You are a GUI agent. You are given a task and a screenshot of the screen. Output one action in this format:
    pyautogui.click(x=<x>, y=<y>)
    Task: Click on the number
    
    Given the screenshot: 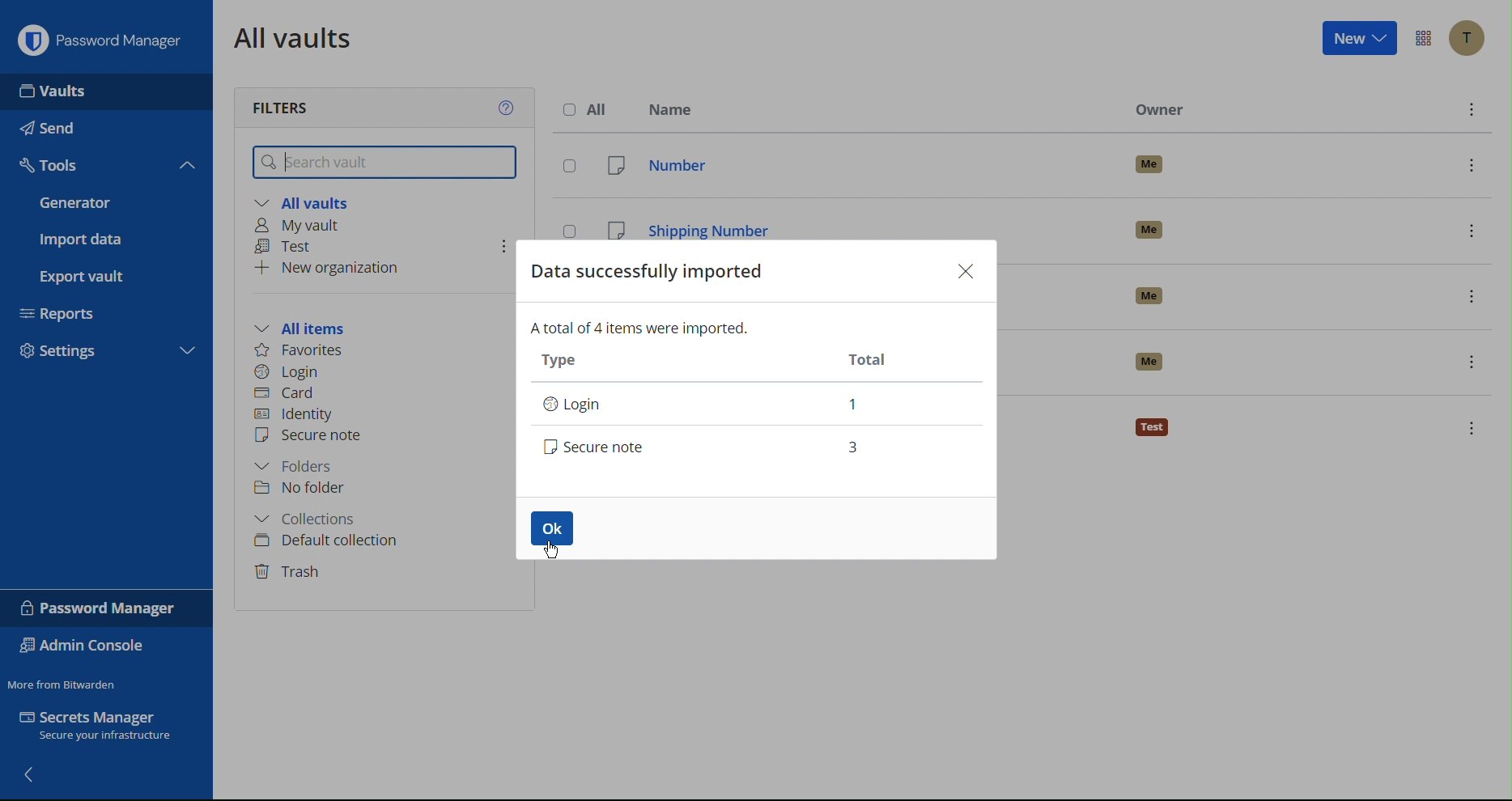 What is the action you would take?
    pyautogui.click(x=852, y=166)
    